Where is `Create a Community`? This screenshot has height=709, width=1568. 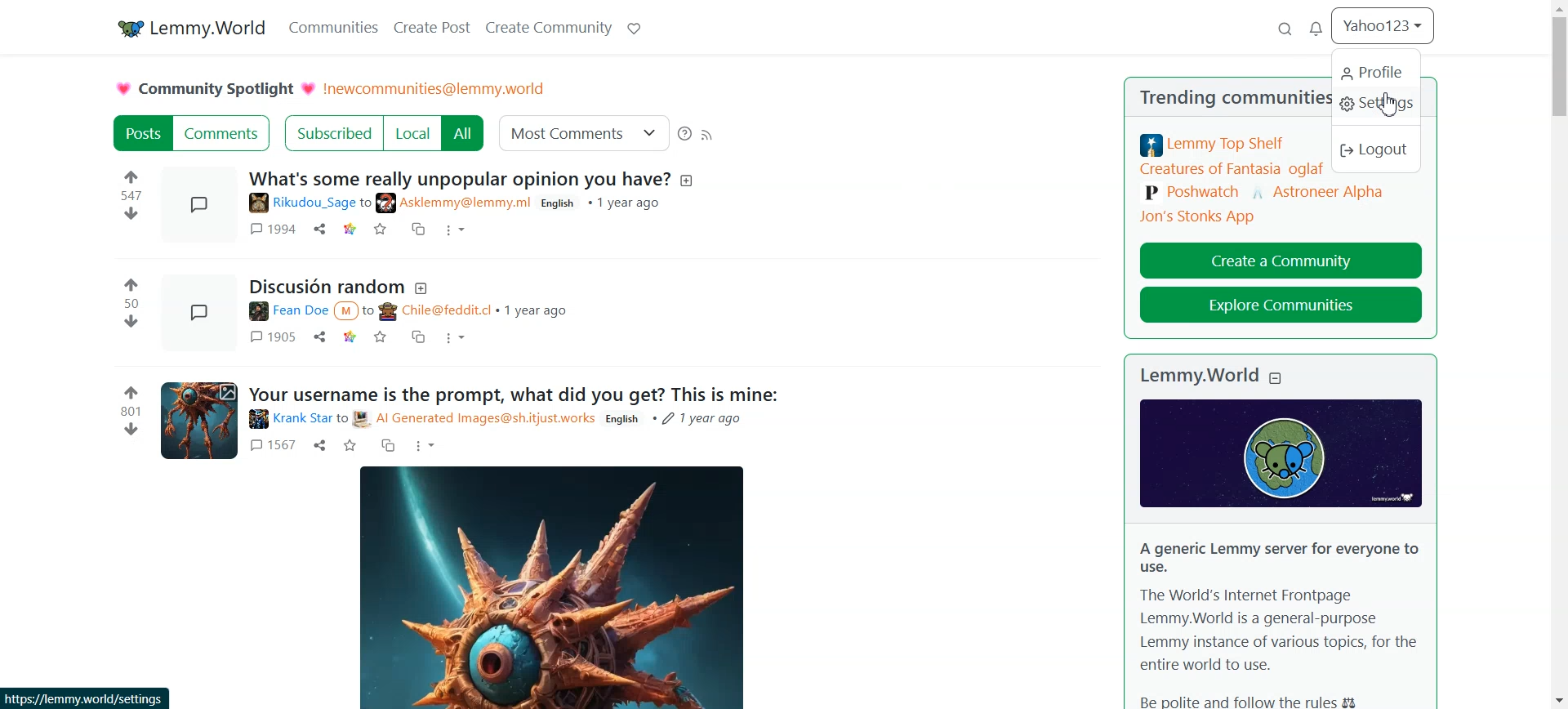 Create a Community is located at coordinates (1281, 258).